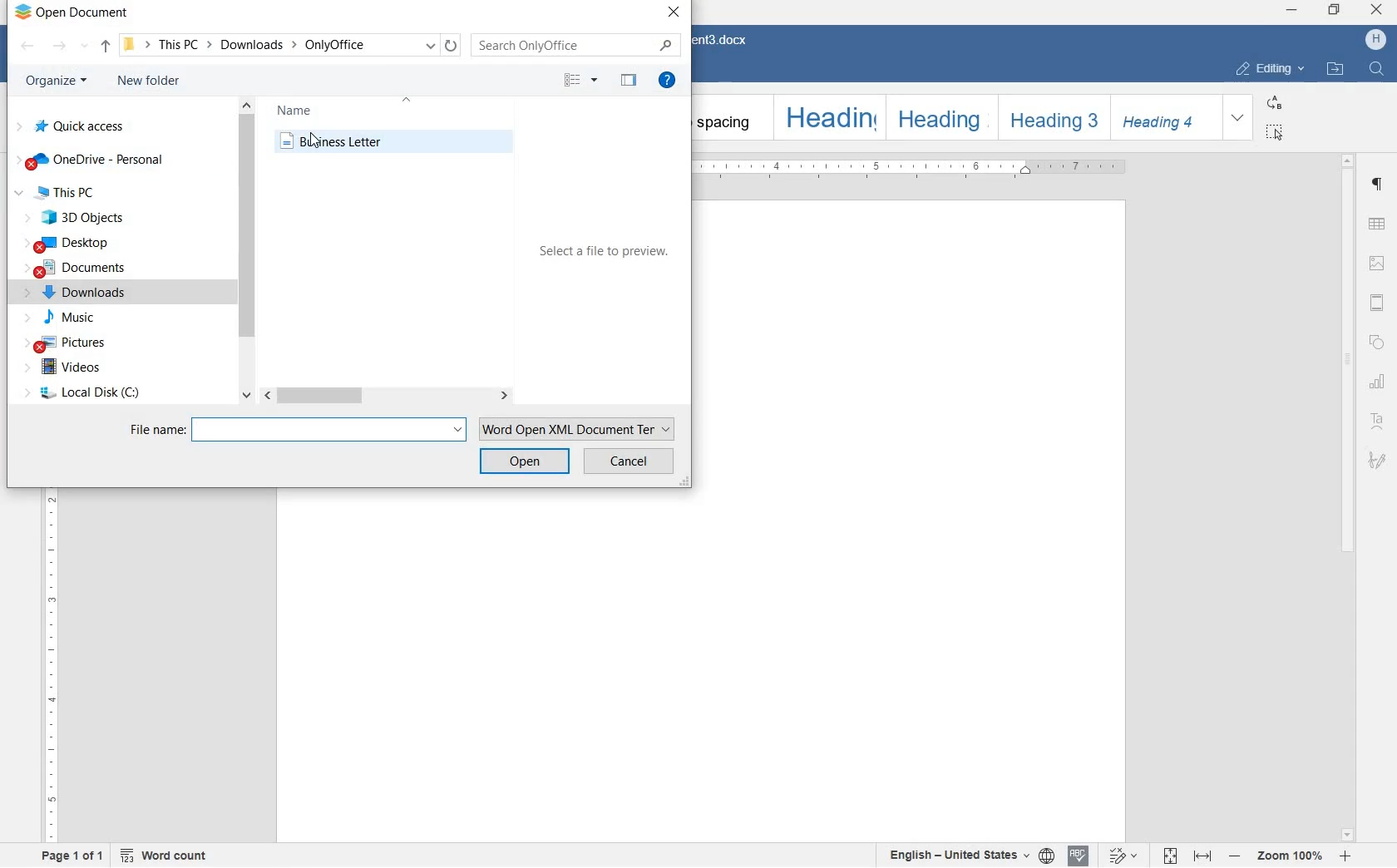  I want to click on local disk, so click(86, 392).